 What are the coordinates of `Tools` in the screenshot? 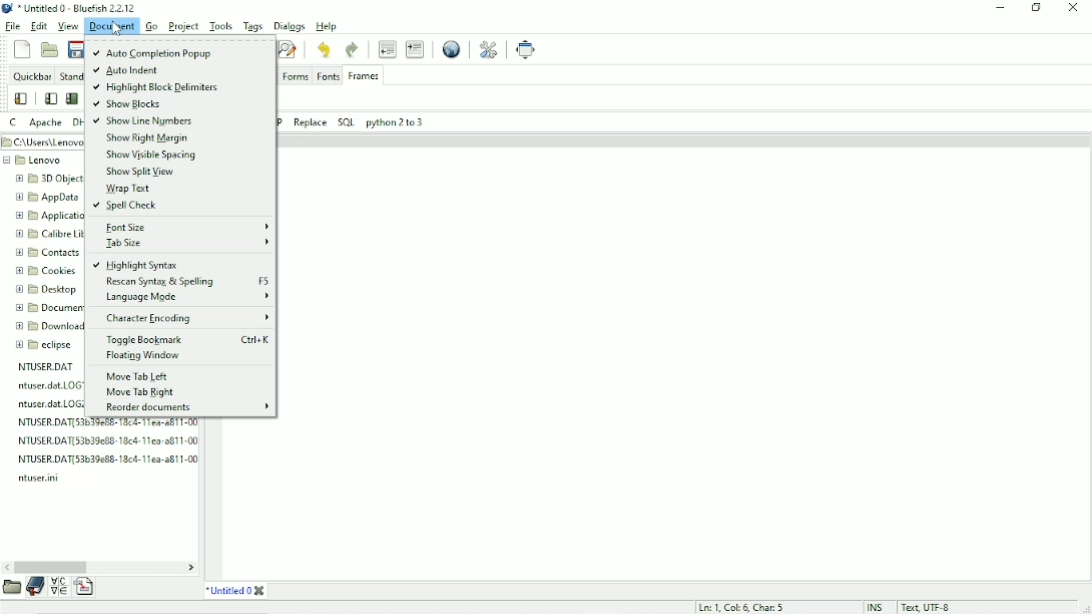 It's located at (219, 25).